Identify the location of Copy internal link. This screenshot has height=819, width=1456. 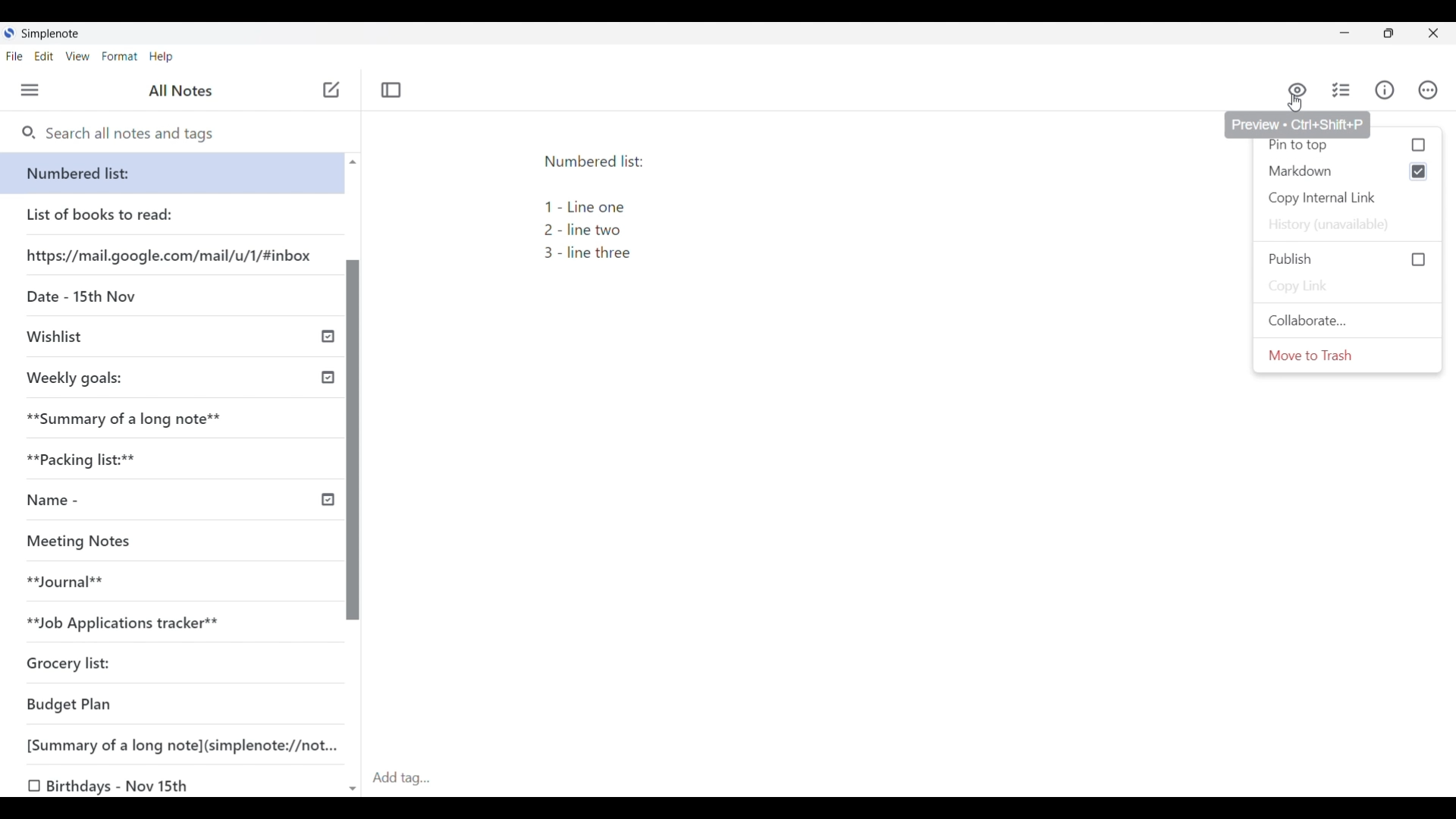
(1348, 198).